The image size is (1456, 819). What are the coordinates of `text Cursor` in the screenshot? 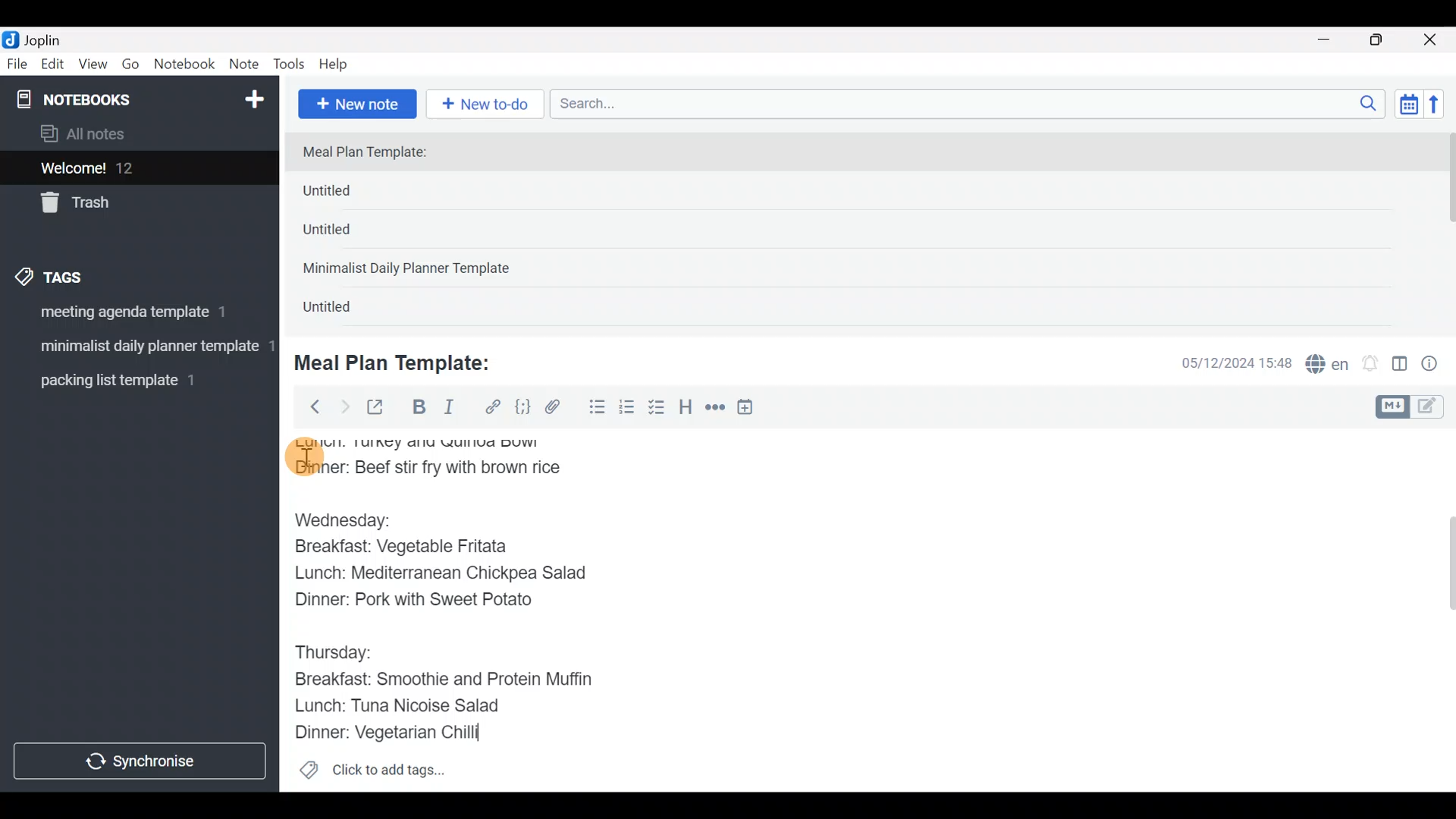 It's located at (498, 733).